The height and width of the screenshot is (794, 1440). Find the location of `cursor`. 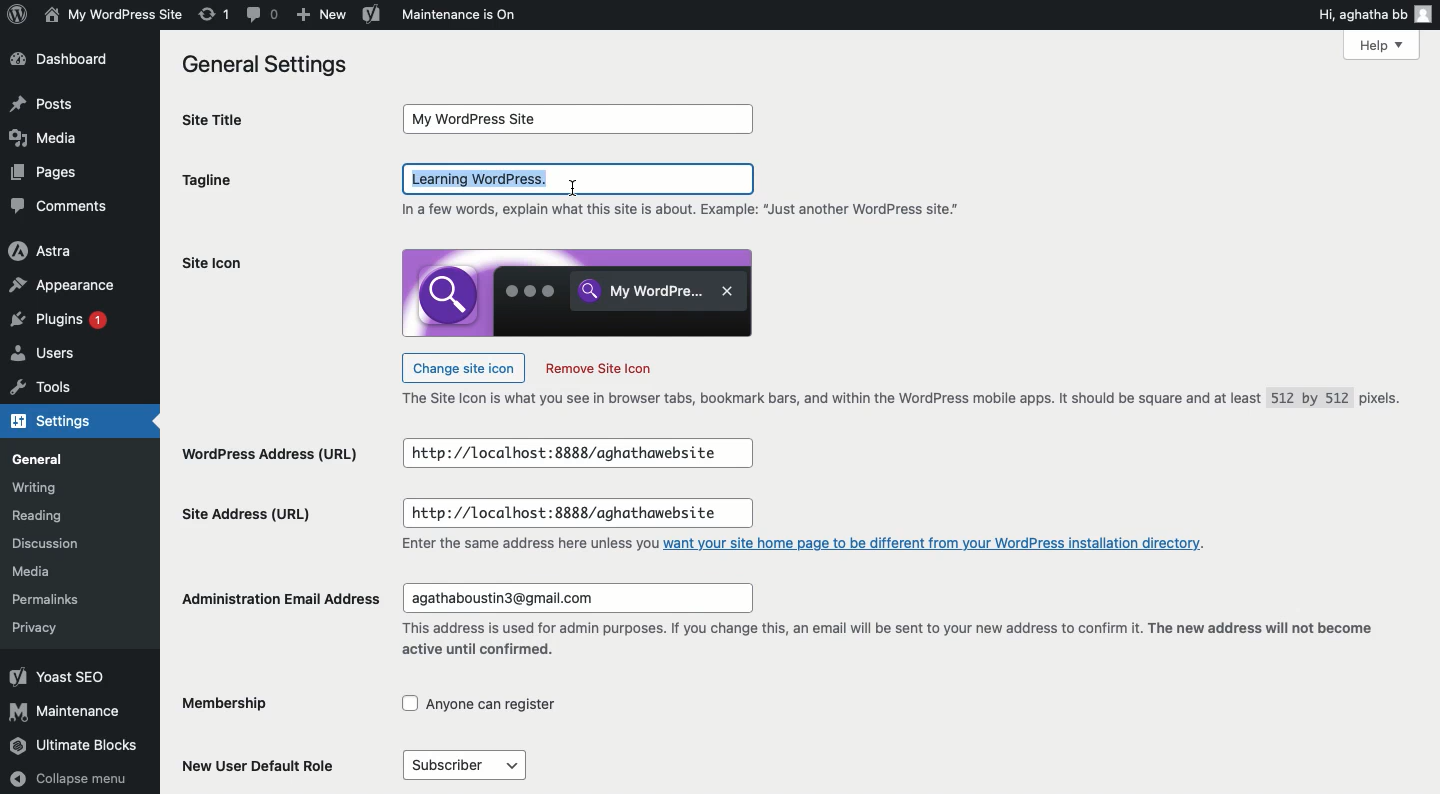

cursor is located at coordinates (575, 187).